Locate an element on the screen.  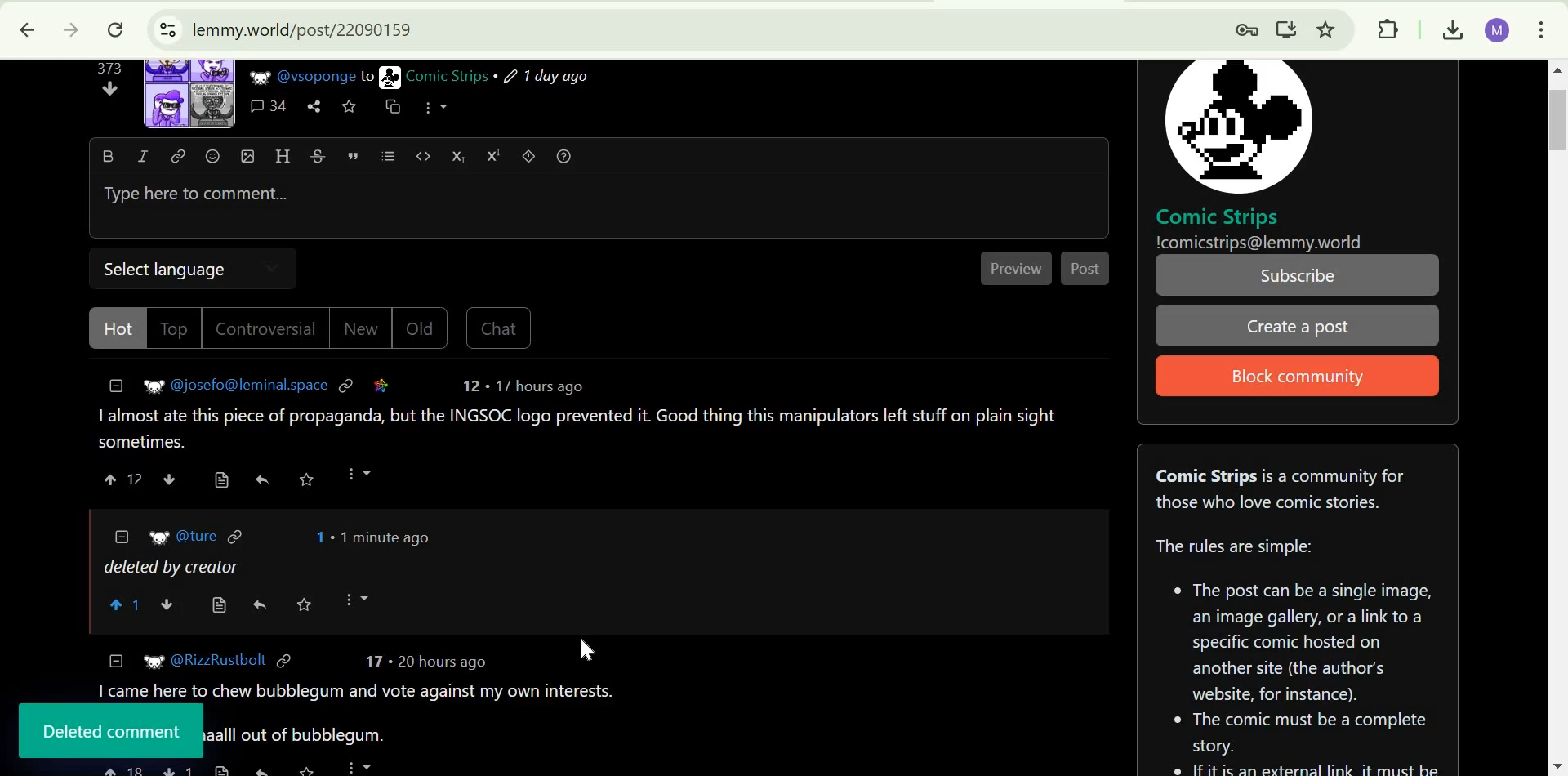
Comic Strips is located at coordinates (1218, 216).